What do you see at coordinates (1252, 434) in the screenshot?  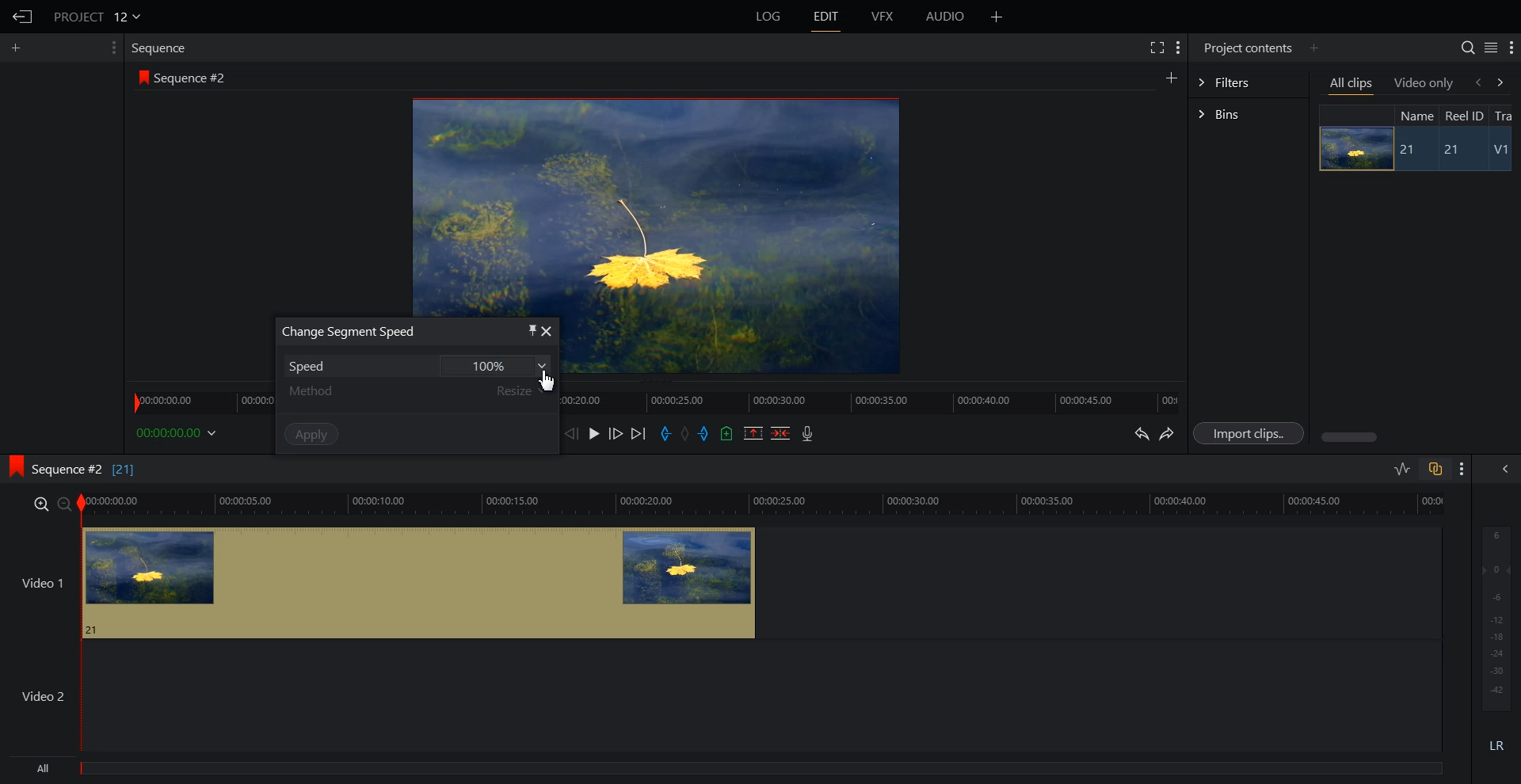 I see `Import clips` at bounding box center [1252, 434].